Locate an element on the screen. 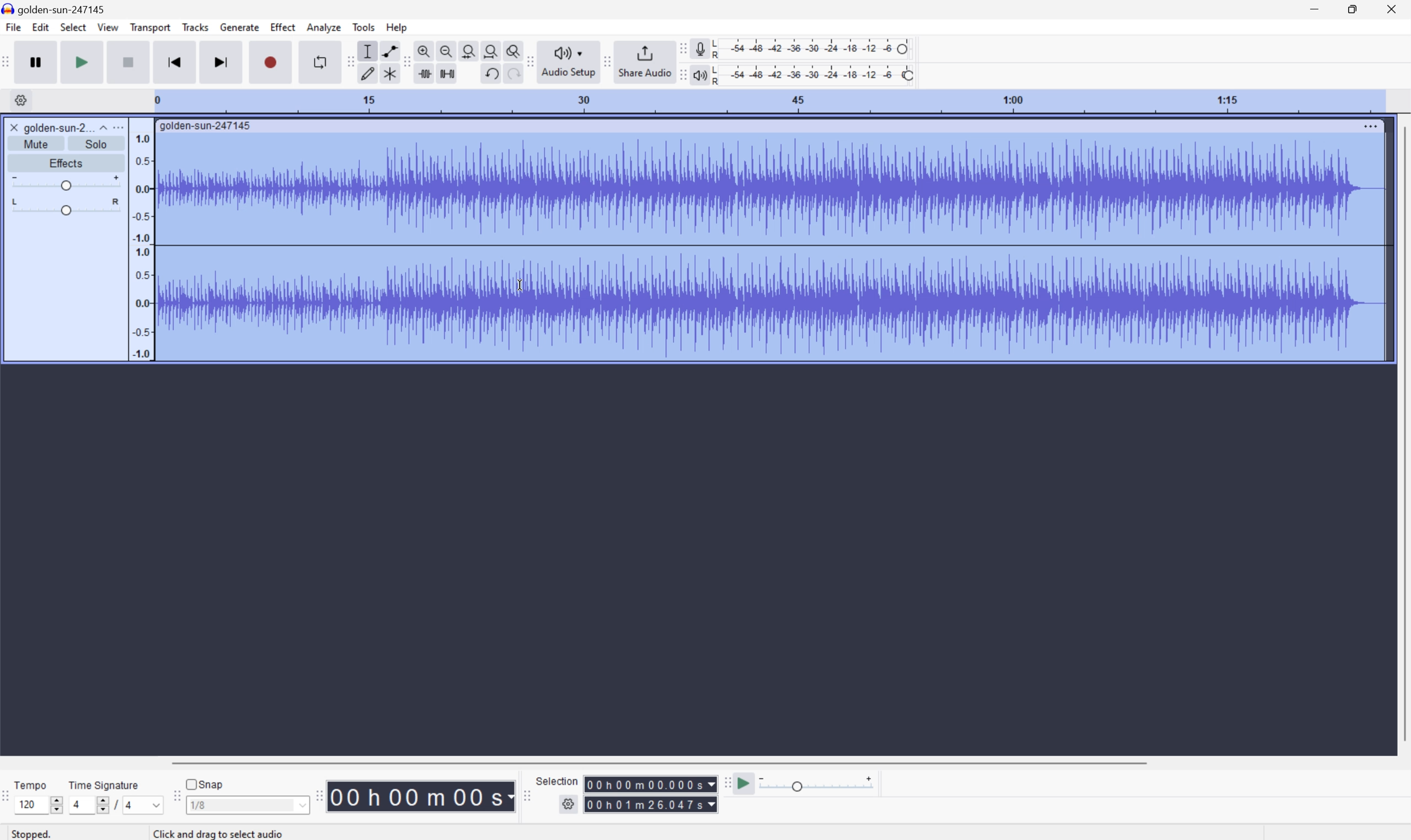  4 slider is located at coordinates (87, 804).